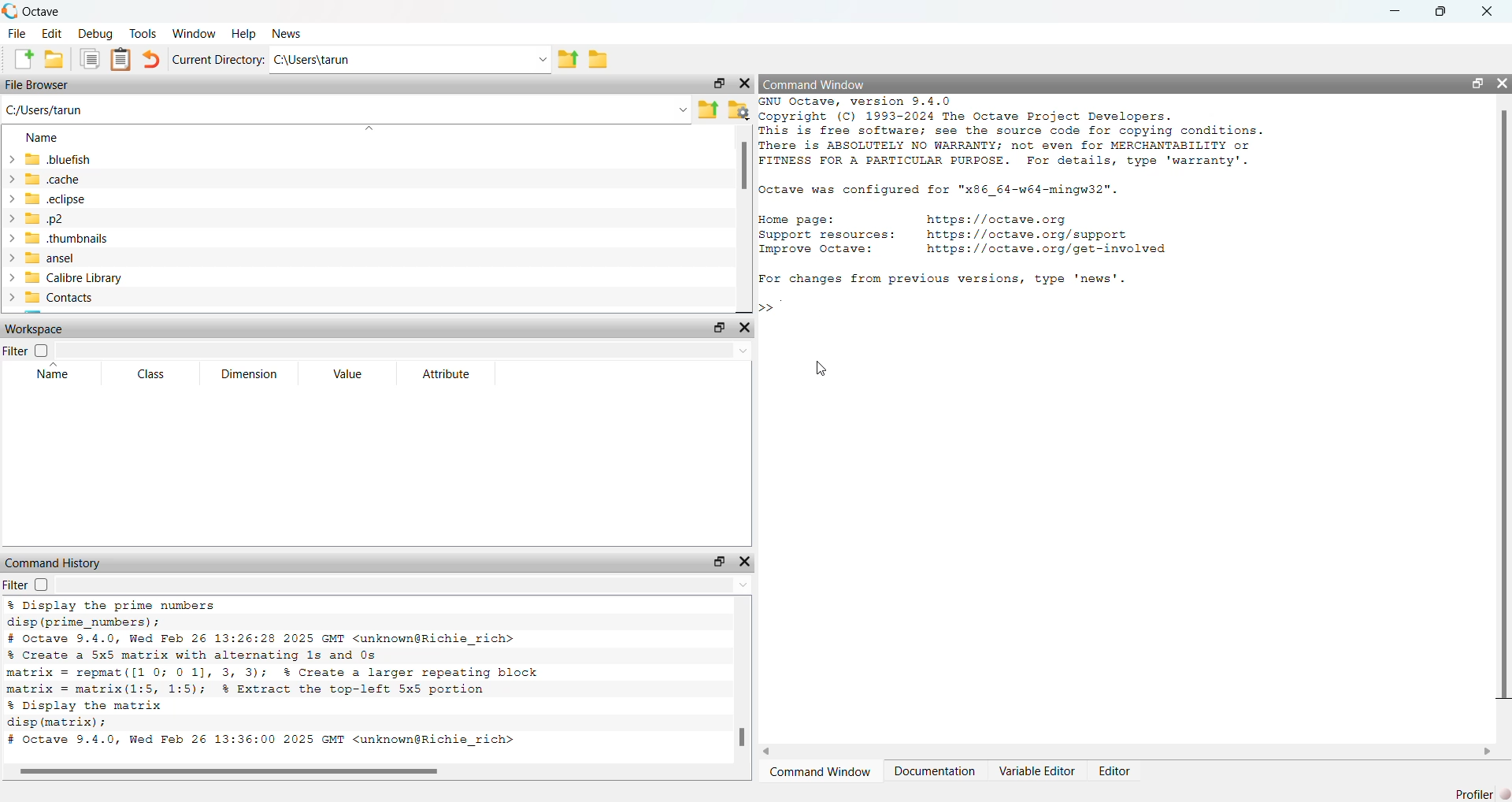 This screenshot has width=1512, height=802. I want to click on .bluefish, so click(80, 158).